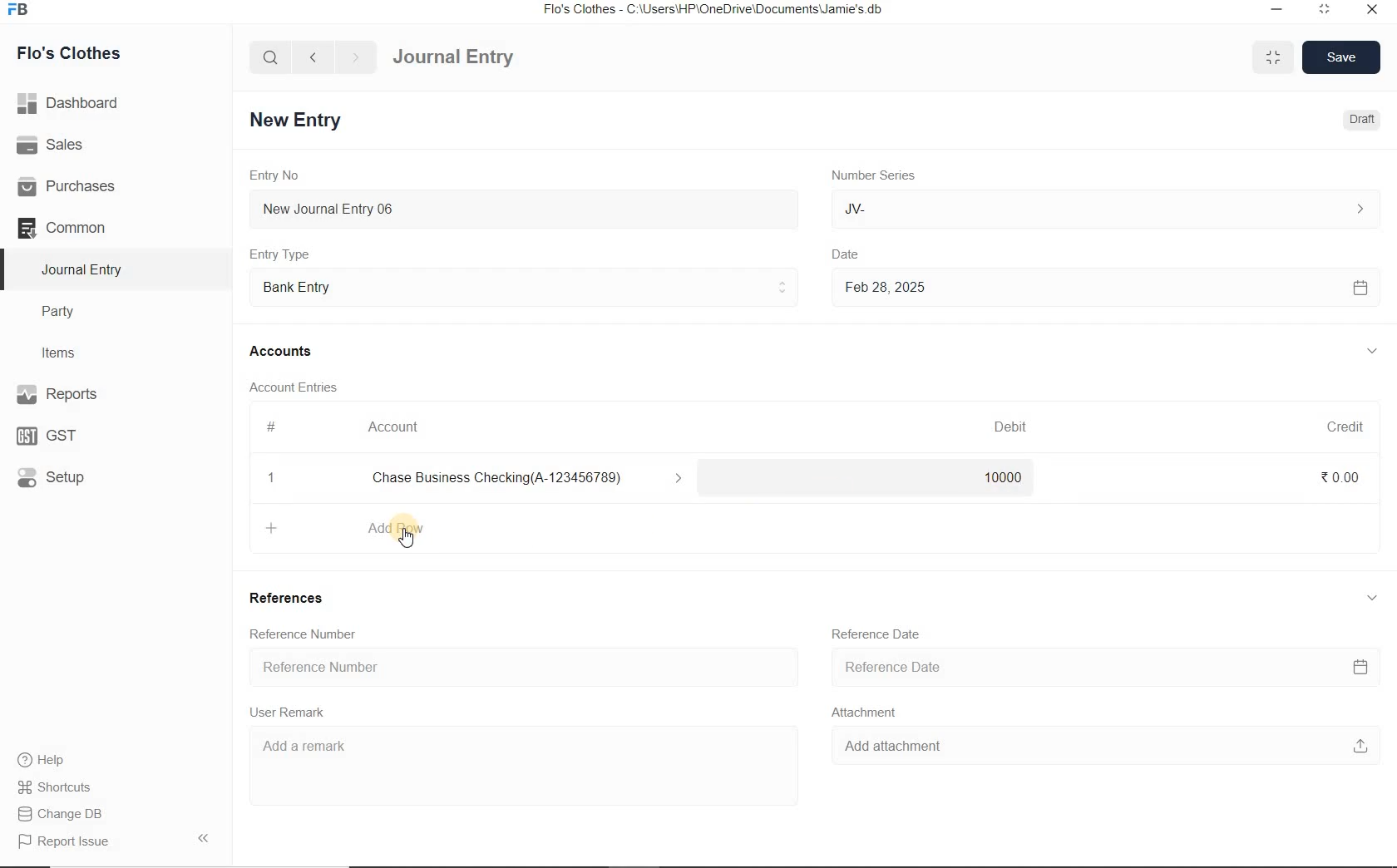  I want to click on Save, so click(1342, 56).